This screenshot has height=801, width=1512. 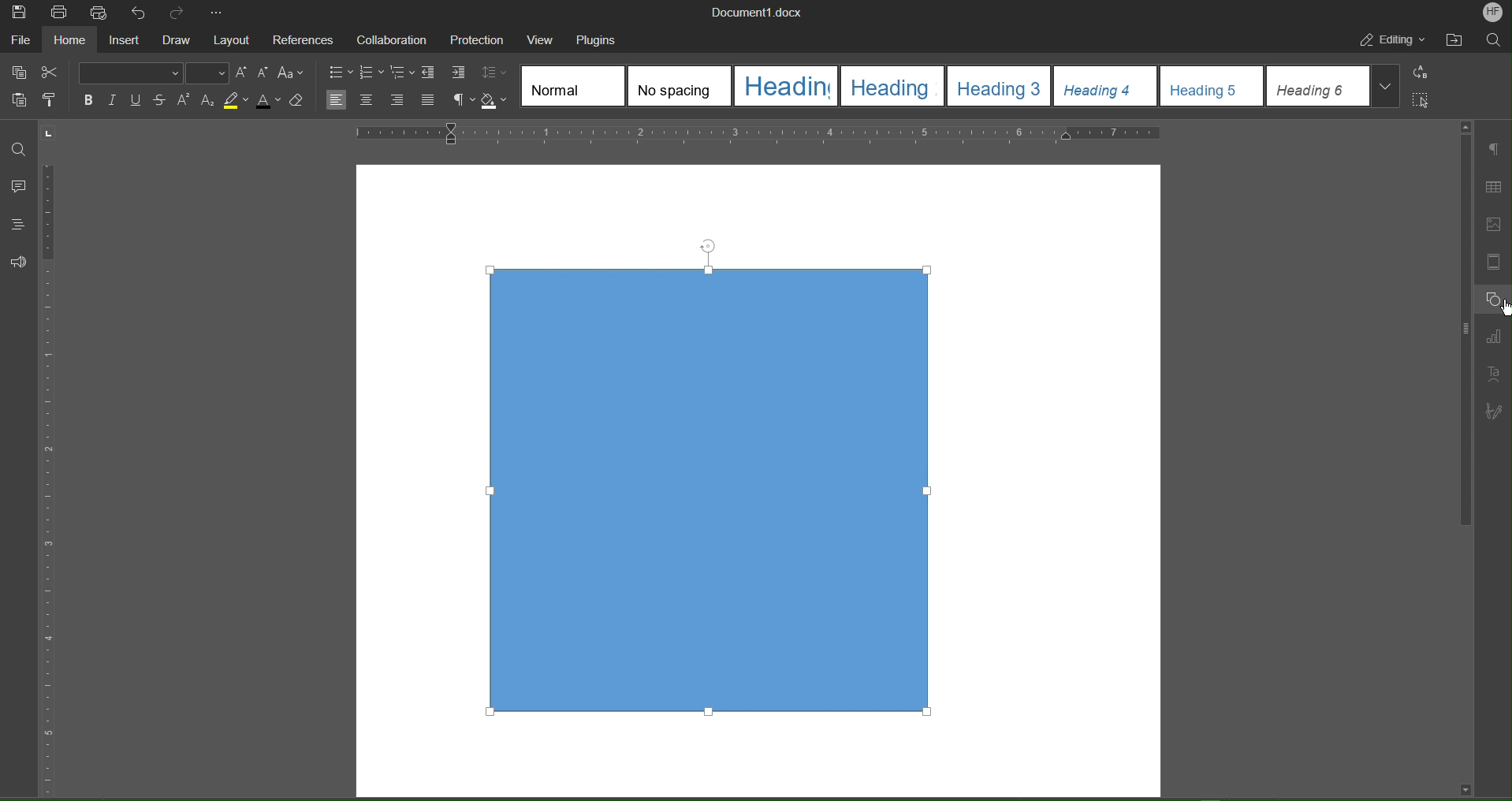 I want to click on Italics, so click(x=114, y=100).